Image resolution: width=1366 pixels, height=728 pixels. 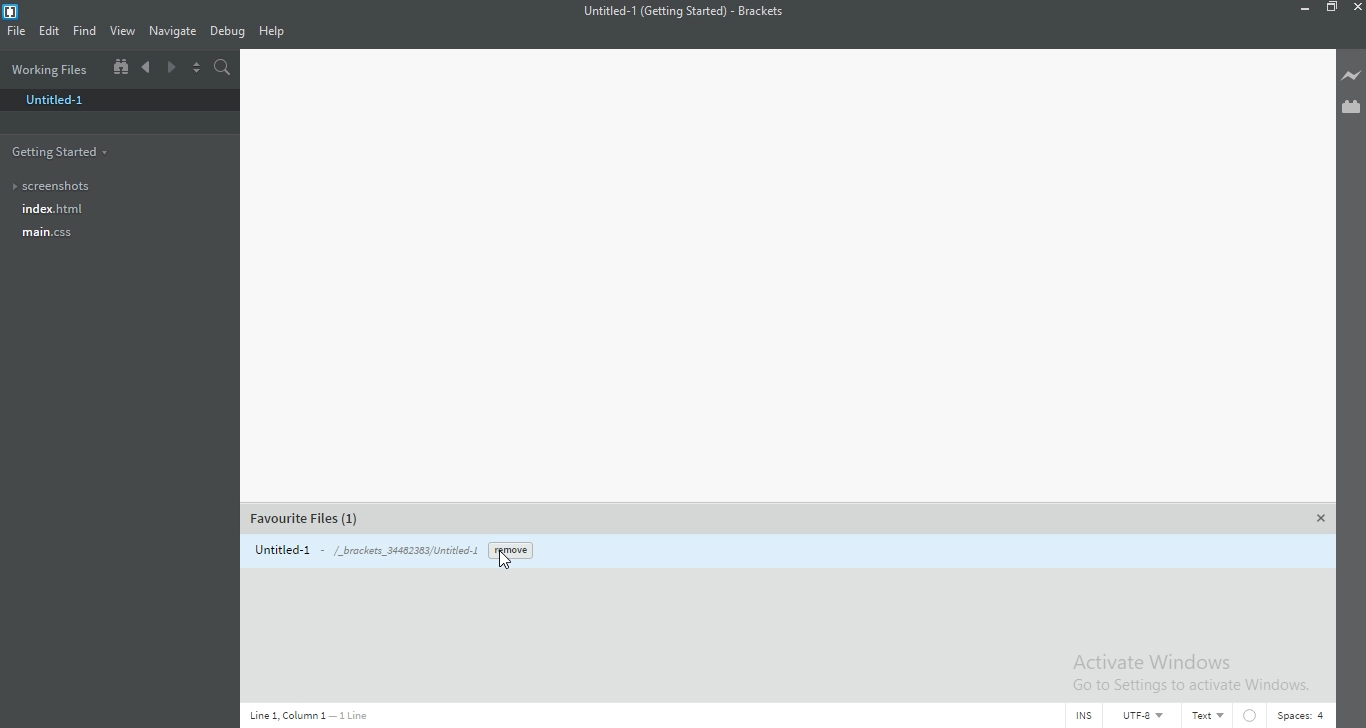 What do you see at coordinates (198, 73) in the screenshot?
I see `Split the editor vertically or horizontally` at bounding box center [198, 73].